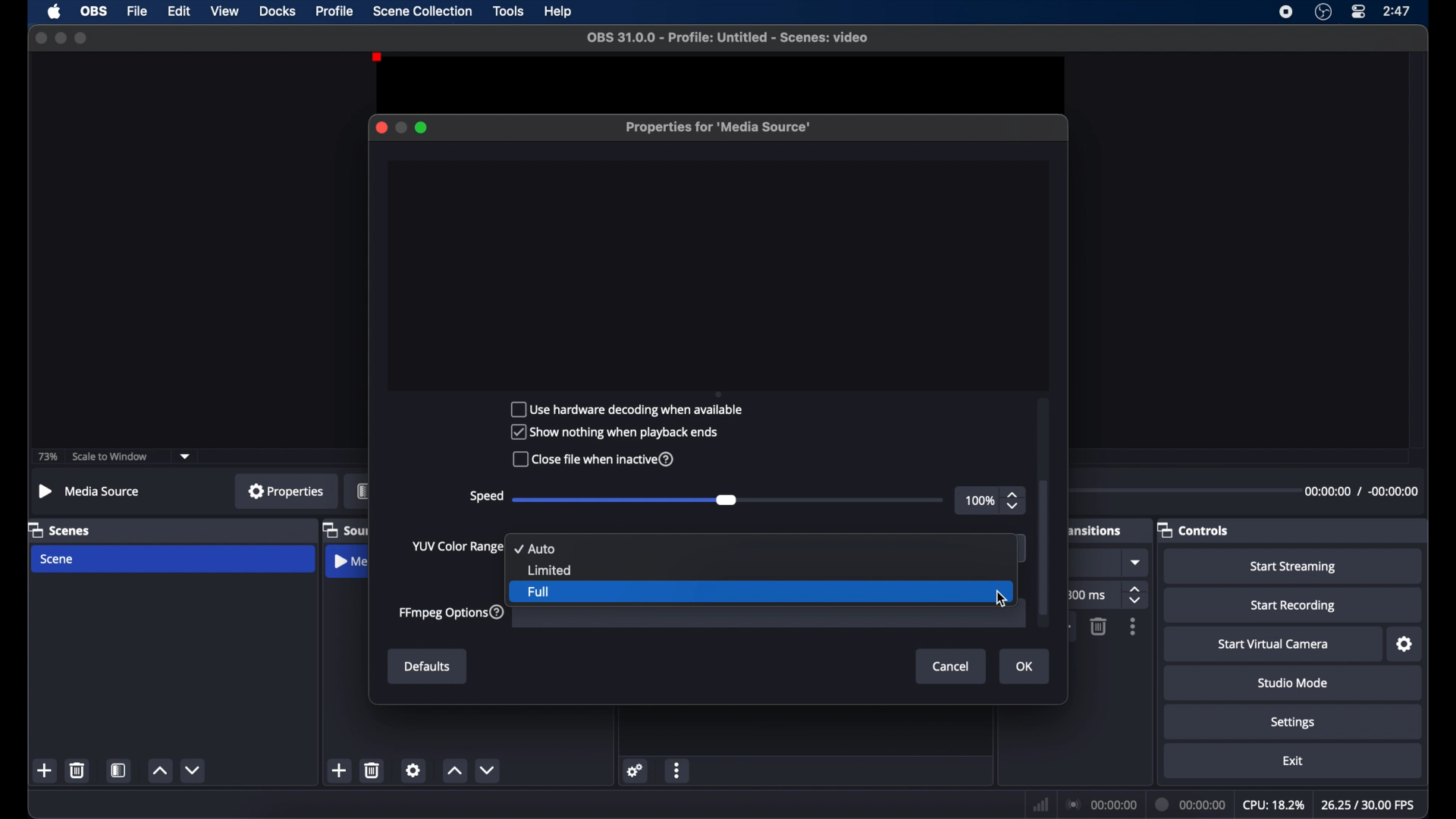 The image size is (1456, 819). Describe the element at coordinates (454, 771) in the screenshot. I see `increment button` at that location.